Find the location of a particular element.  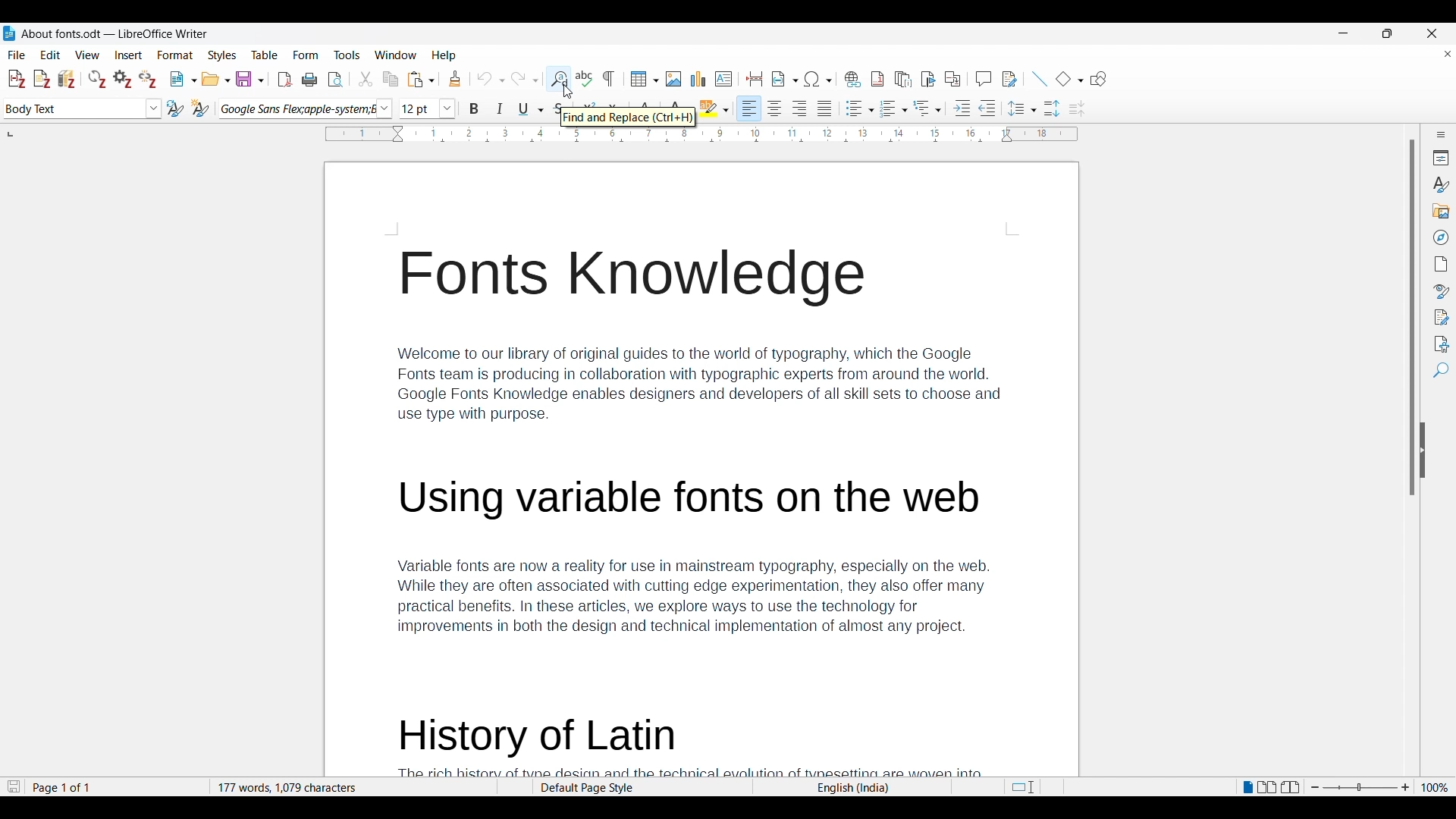

Insert graph is located at coordinates (698, 79).